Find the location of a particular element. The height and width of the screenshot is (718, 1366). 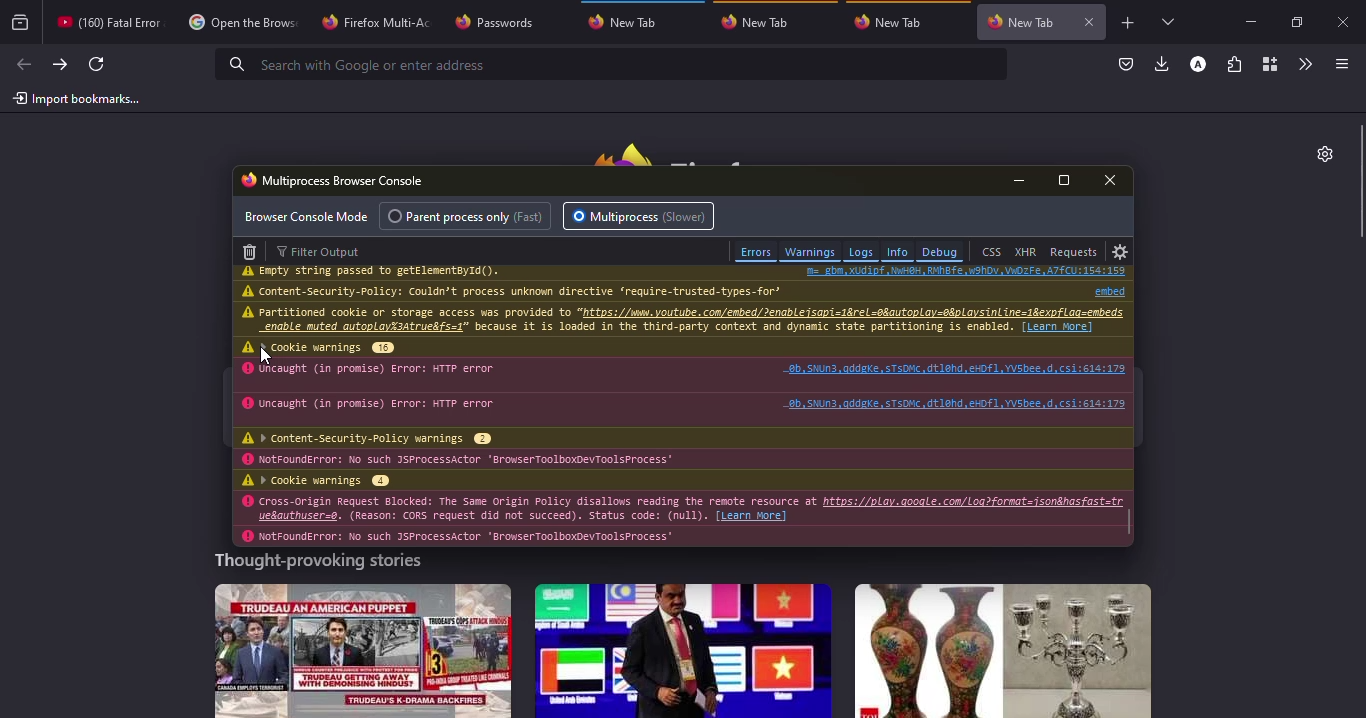

options is located at coordinates (1339, 64).